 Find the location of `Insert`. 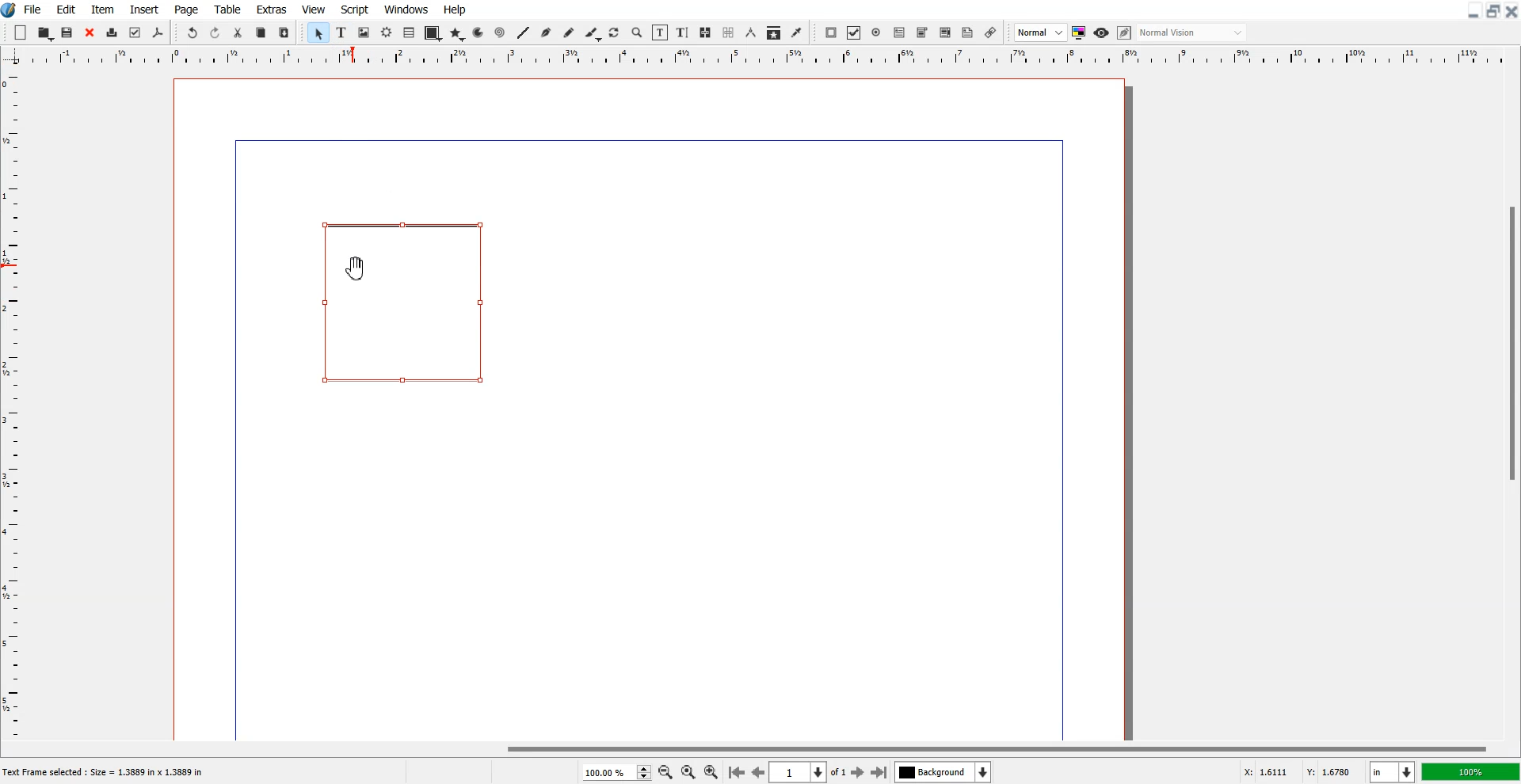

Insert is located at coordinates (143, 10).